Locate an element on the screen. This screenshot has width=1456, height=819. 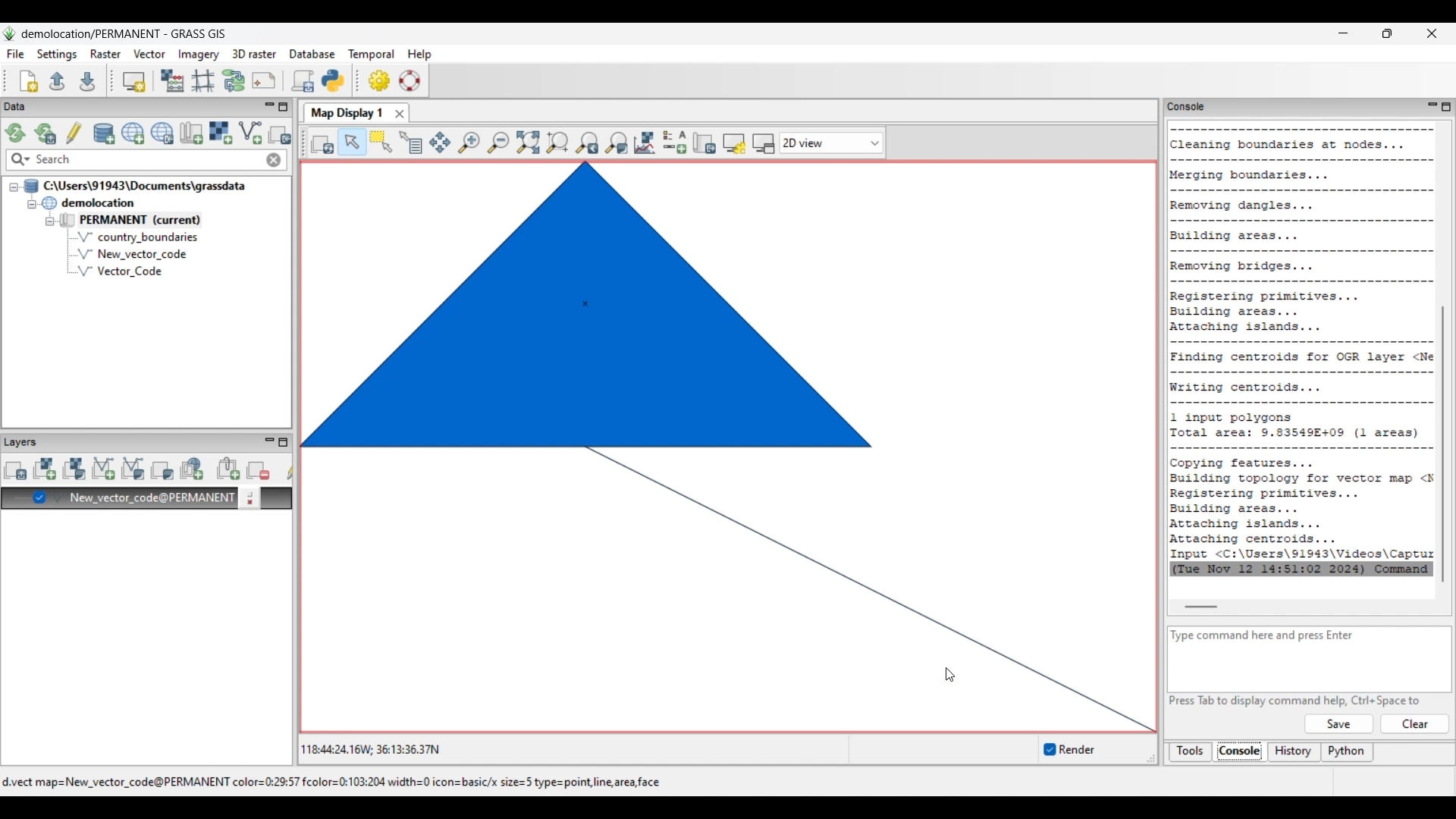
Maximize Data panel is located at coordinates (284, 107).